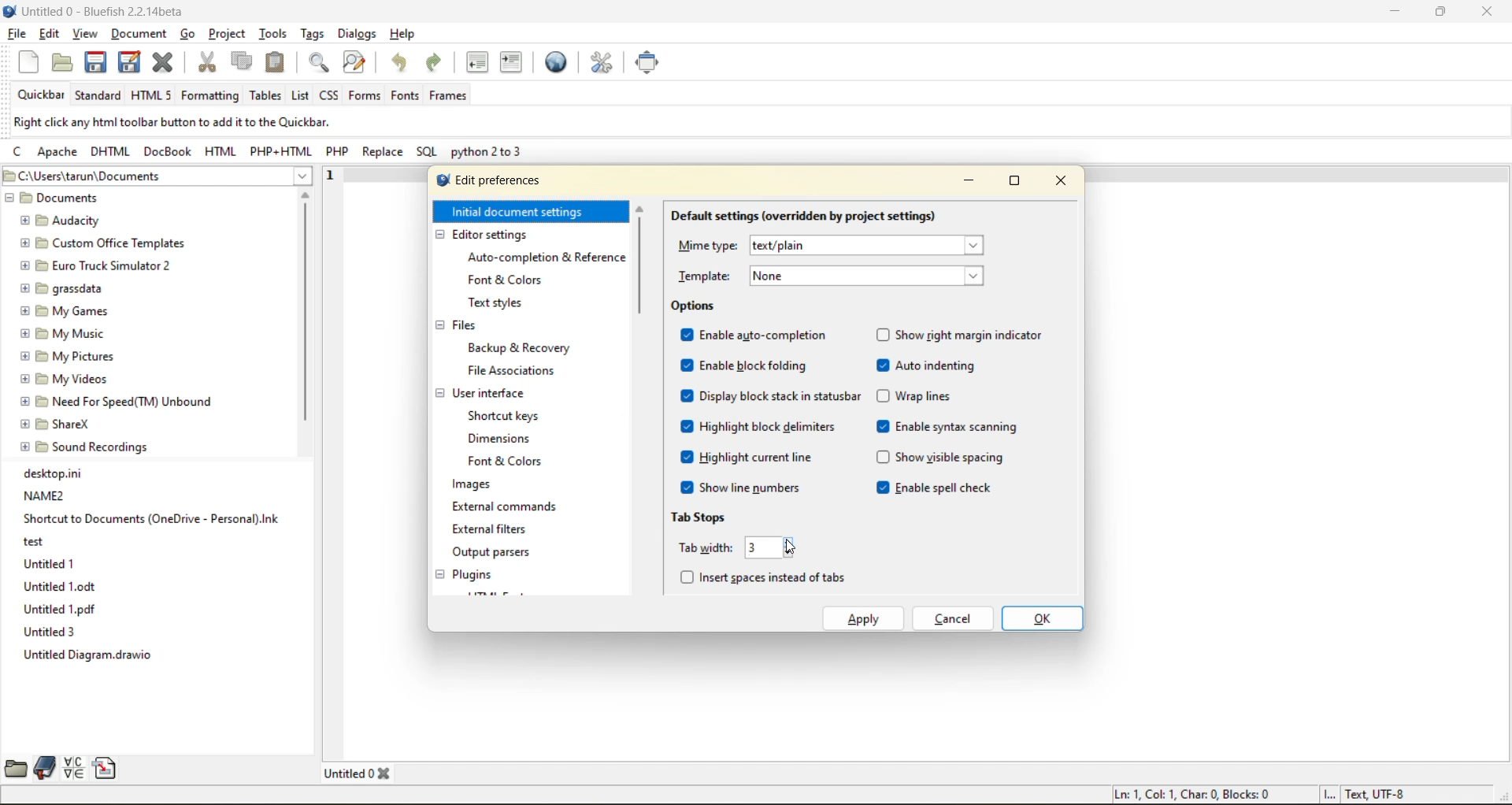 Image resolution: width=1512 pixels, height=805 pixels. I want to click on # [9 Euro Truck Simulator 2, so click(93, 265).